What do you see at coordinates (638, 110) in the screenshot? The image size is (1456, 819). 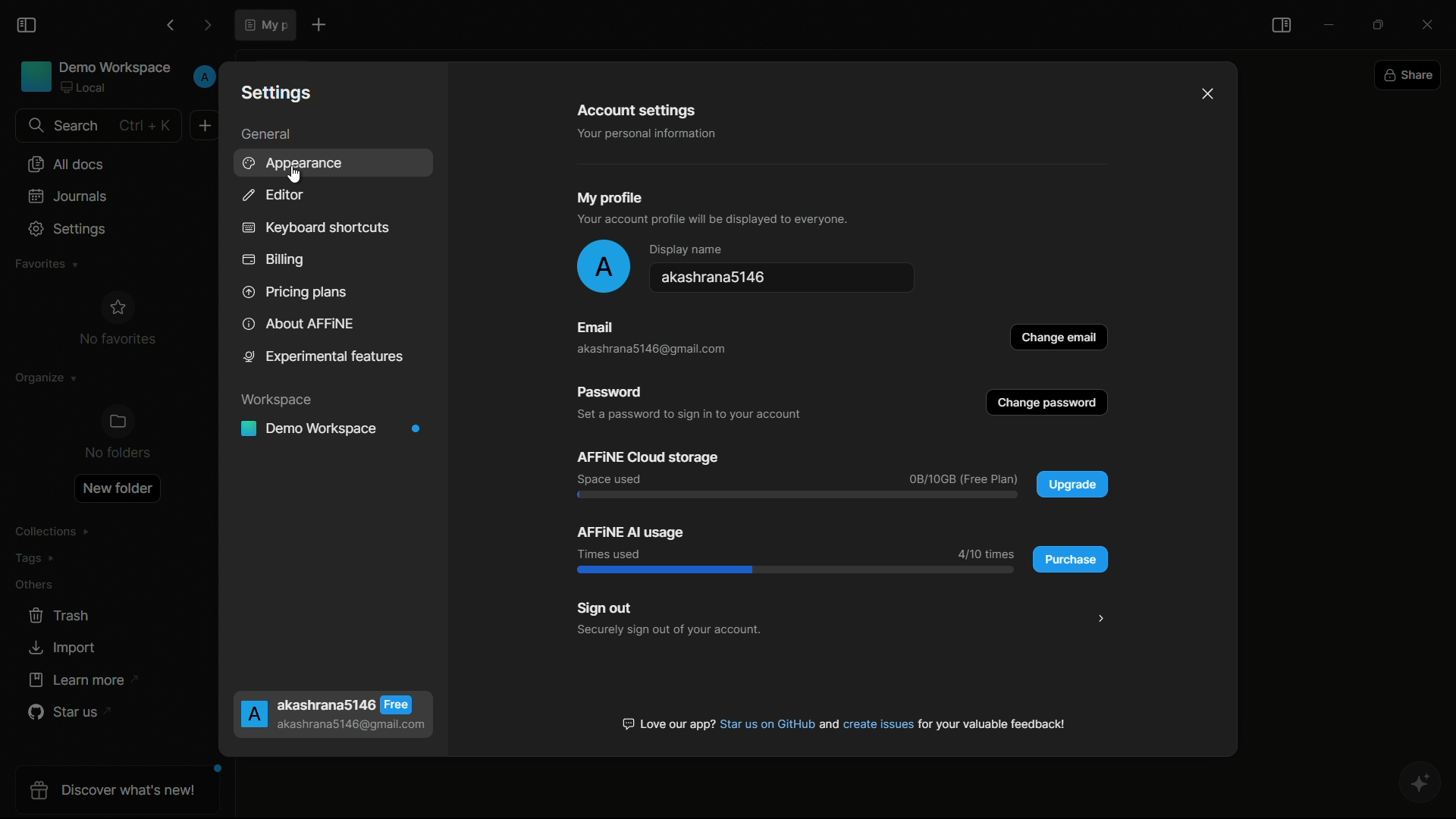 I see `account settings` at bounding box center [638, 110].